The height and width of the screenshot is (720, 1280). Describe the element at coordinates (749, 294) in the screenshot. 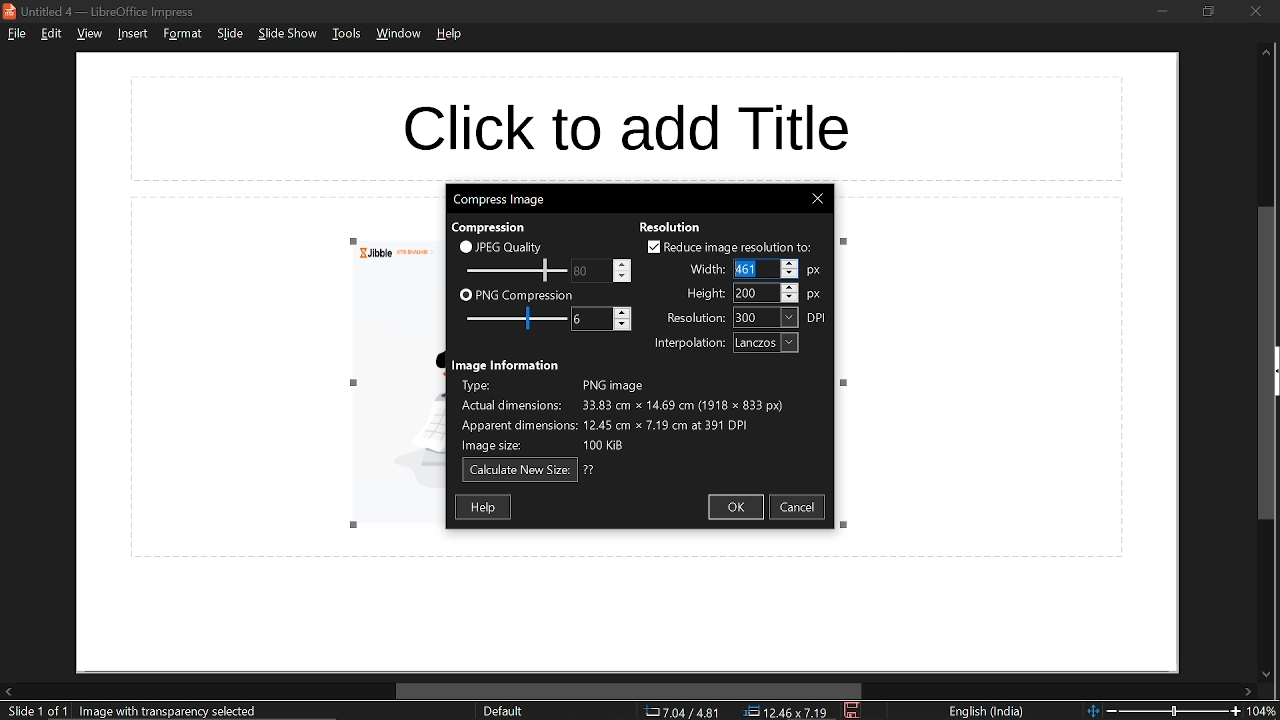

I see `height` at that location.